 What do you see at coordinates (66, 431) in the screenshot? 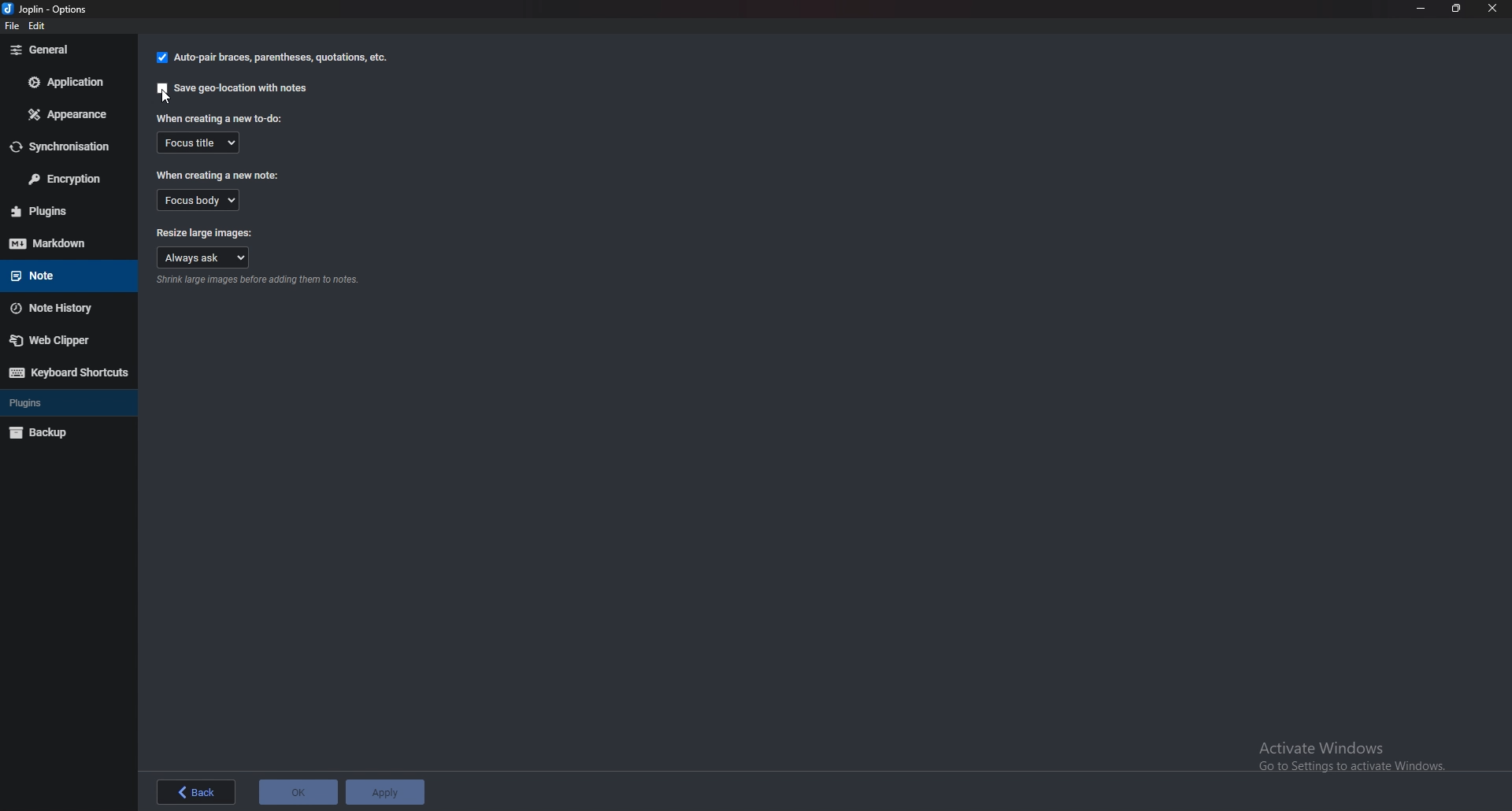
I see `Backup` at bounding box center [66, 431].